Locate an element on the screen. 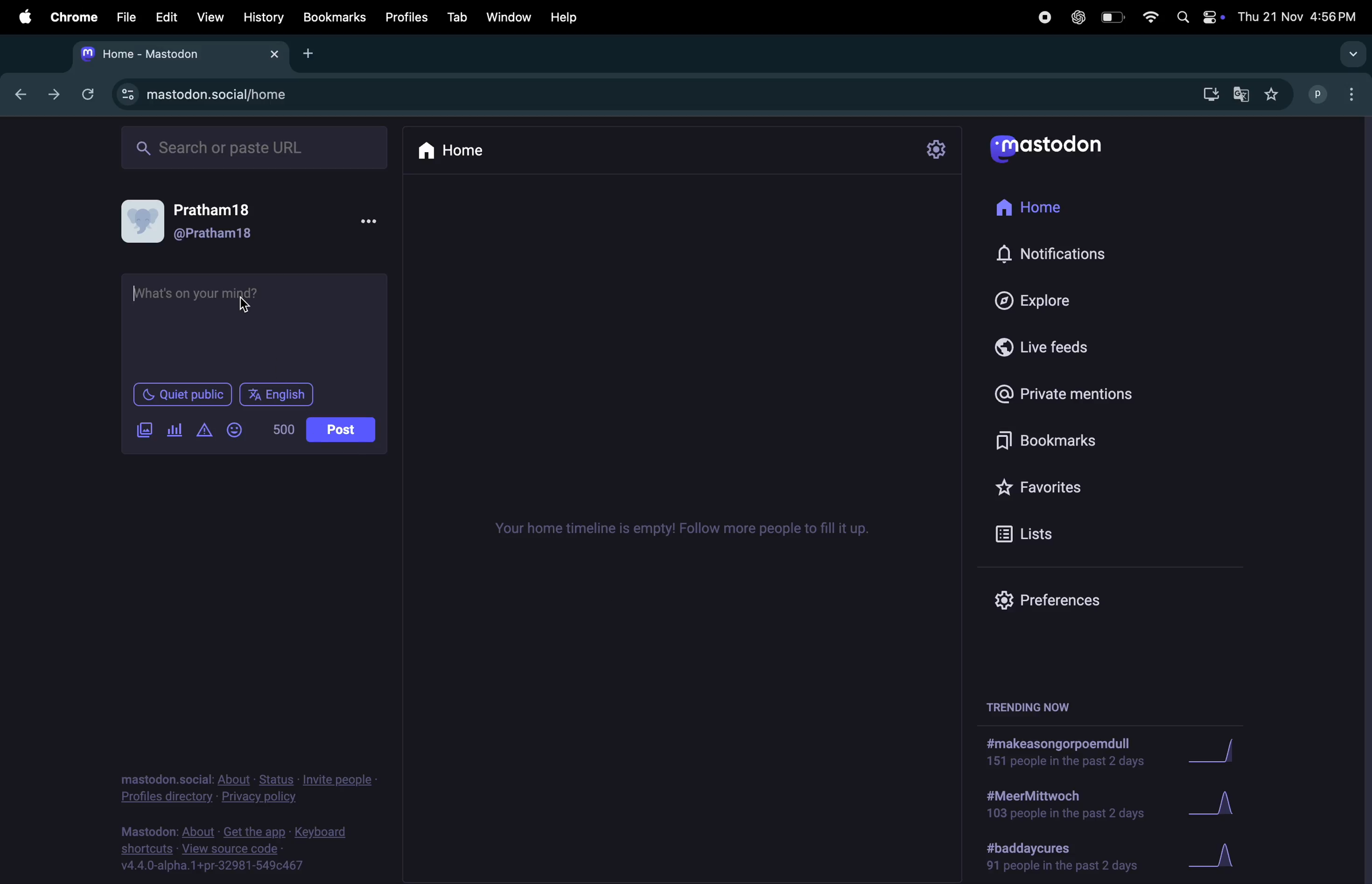 The height and width of the screenshot is (884, 1372). bookmarks is located at coordinates (335, 18).